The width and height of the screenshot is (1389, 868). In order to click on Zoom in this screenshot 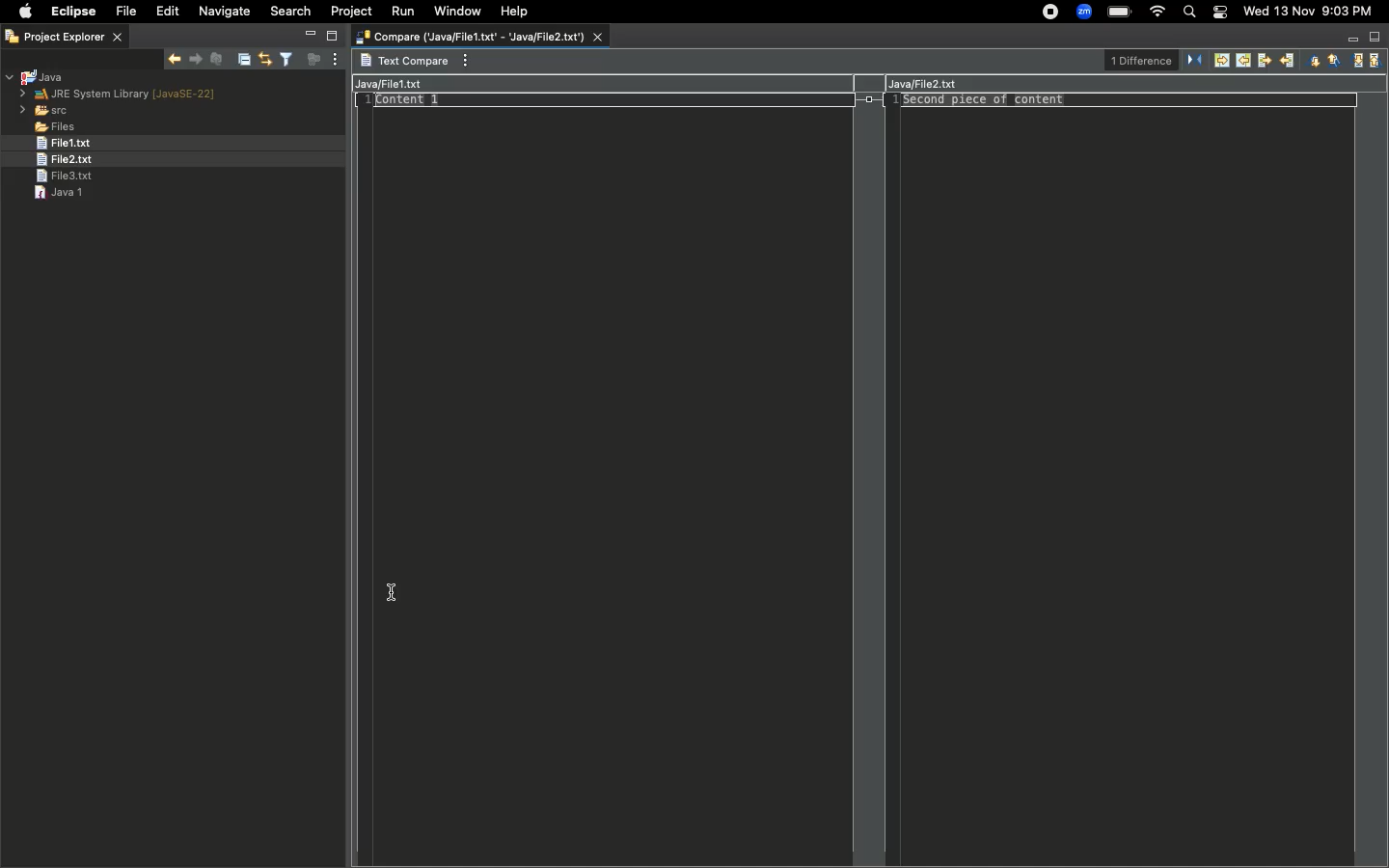, I will do `click(1084, 12)`.